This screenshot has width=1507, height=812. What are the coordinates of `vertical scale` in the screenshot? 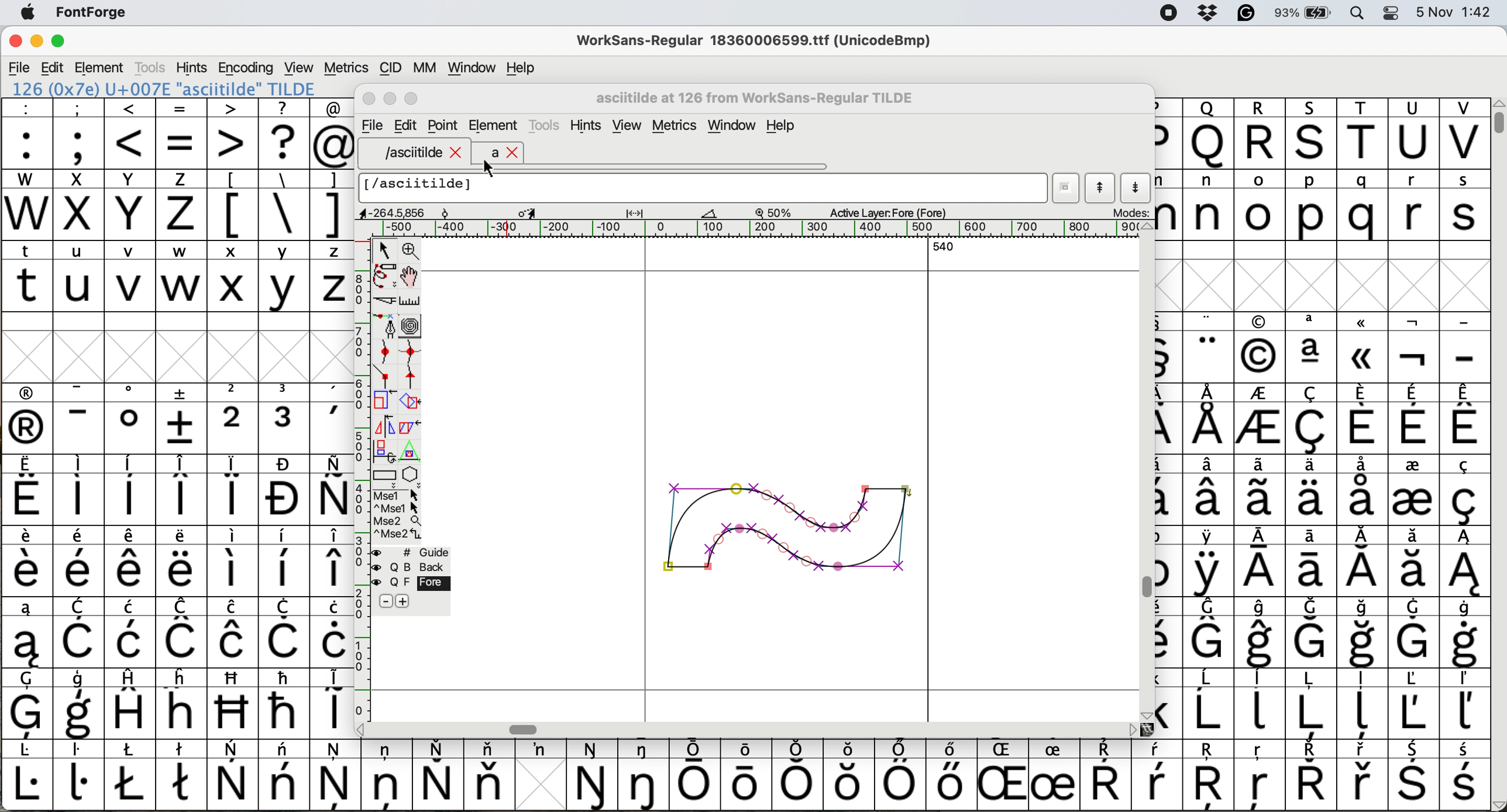 It's located at (361, 466).